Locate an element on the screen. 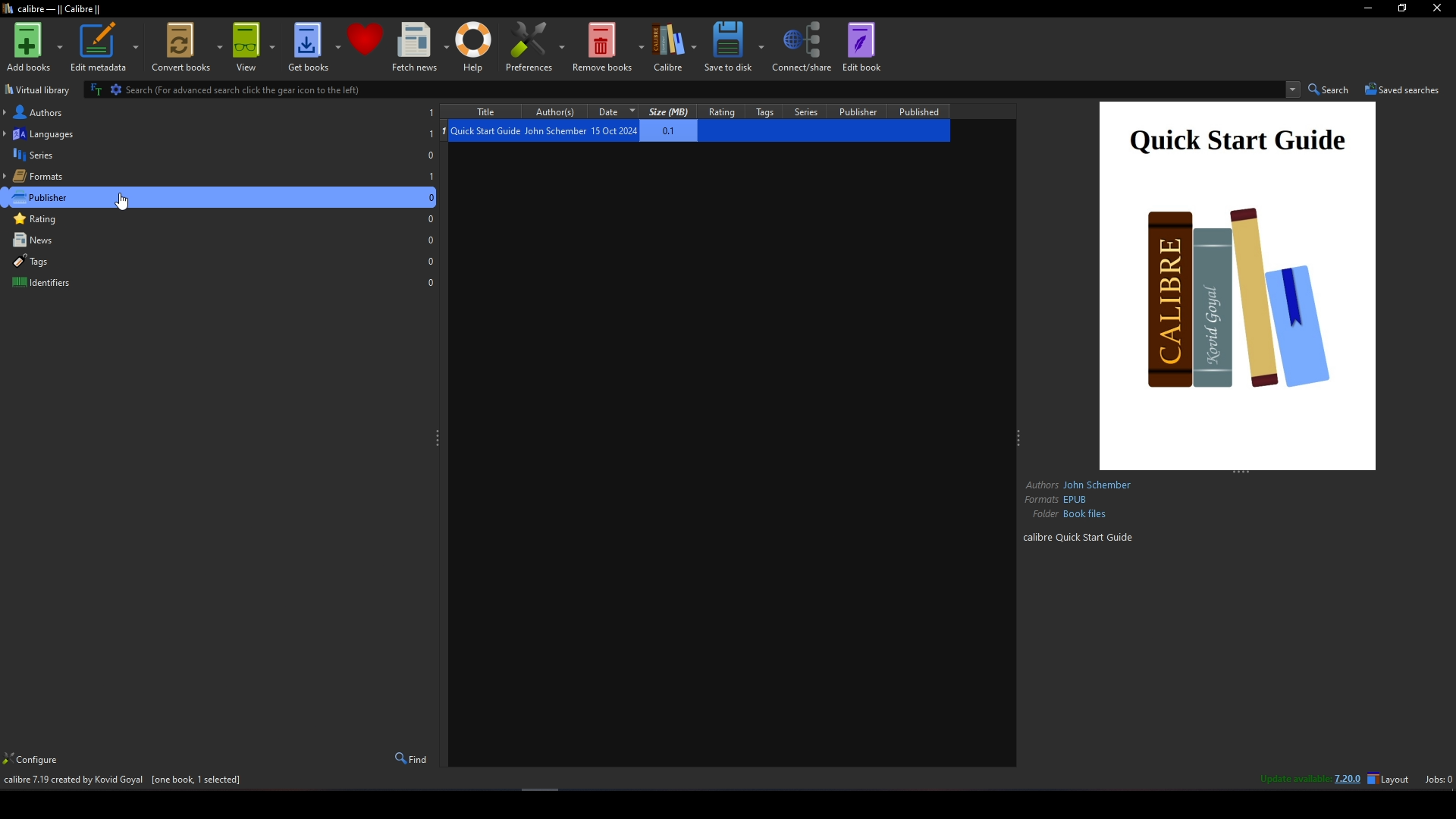 This screenshot has height=819, width=1456. cursor is located at coordinates (127, 200).